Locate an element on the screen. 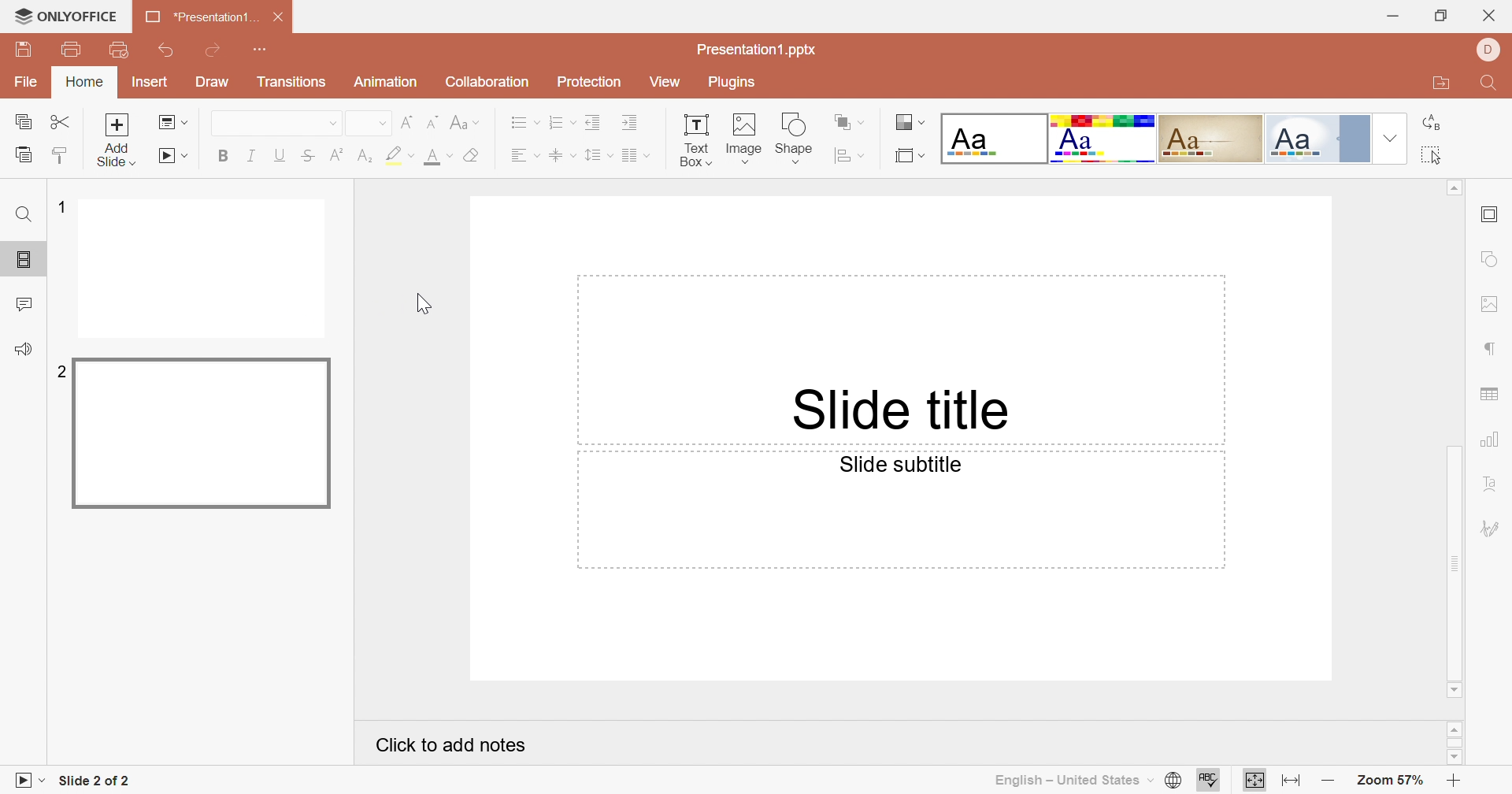 Image resolution: width=1512 pixels, height=794 pixels. Find is located at coordinates (26, 215).